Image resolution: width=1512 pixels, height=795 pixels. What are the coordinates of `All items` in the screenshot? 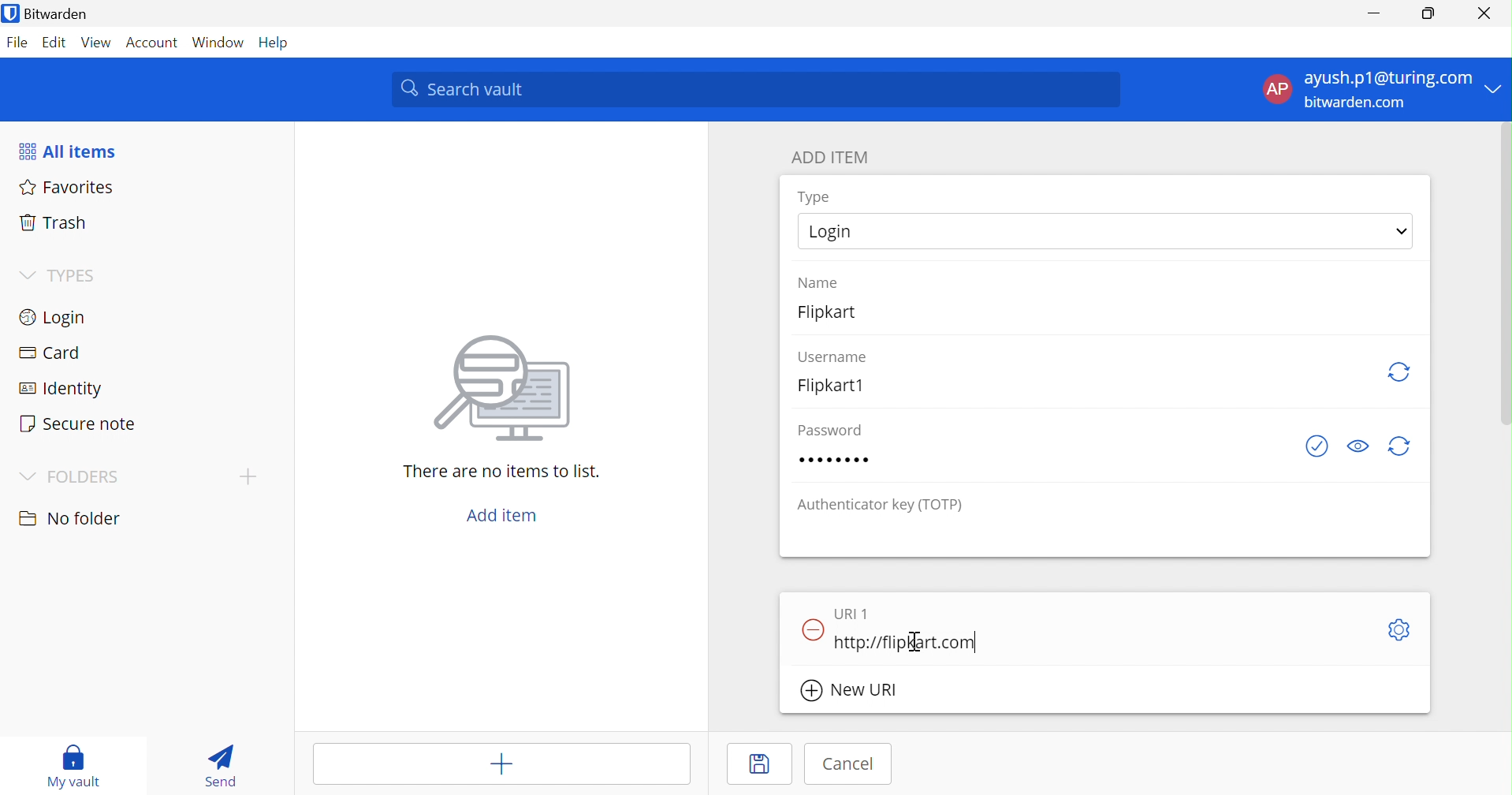 It's located at (70, 151).